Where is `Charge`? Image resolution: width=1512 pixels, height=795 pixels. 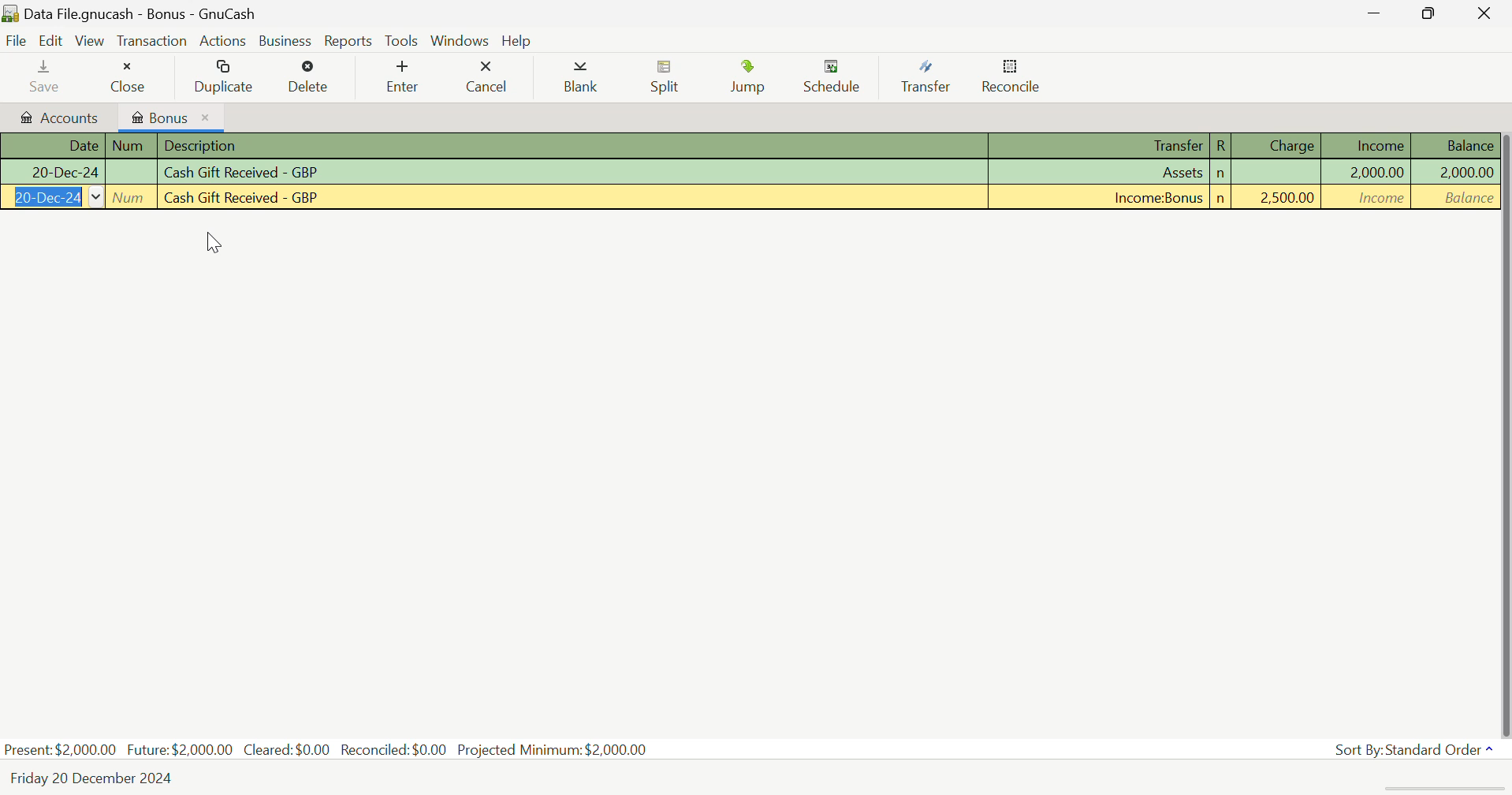 Charge is located at coordinates (1279, 174).